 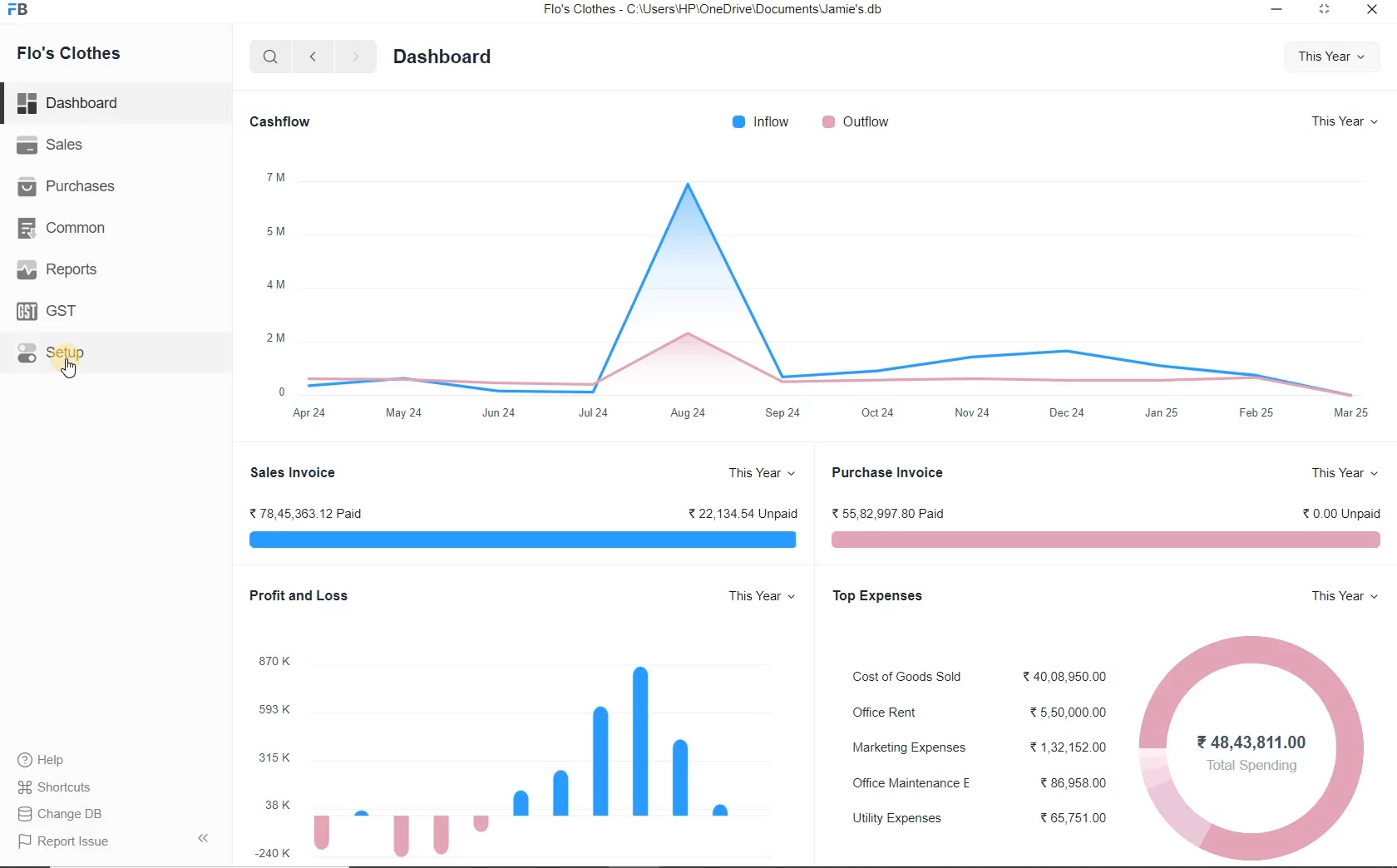 I want to click on Profit and Loss, so click(x=297, y=594).